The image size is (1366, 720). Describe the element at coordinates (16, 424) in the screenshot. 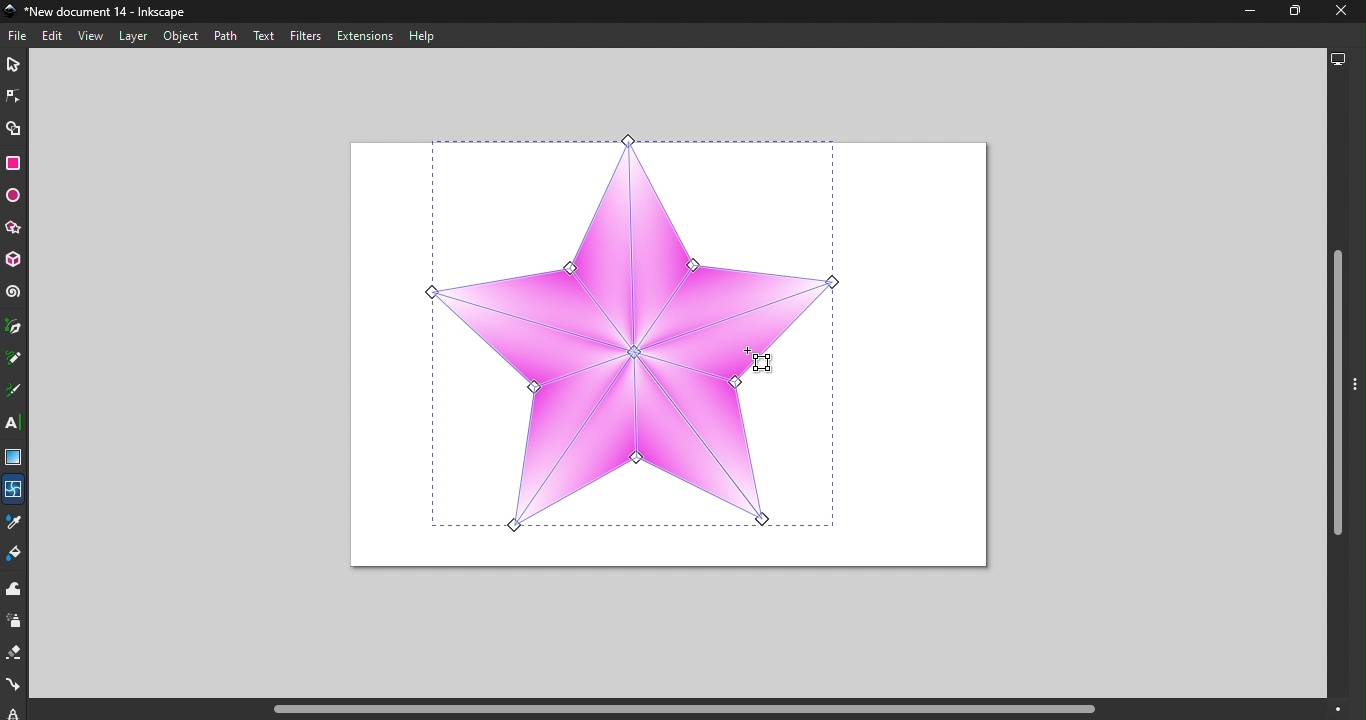

I see `Text tool` at that location.